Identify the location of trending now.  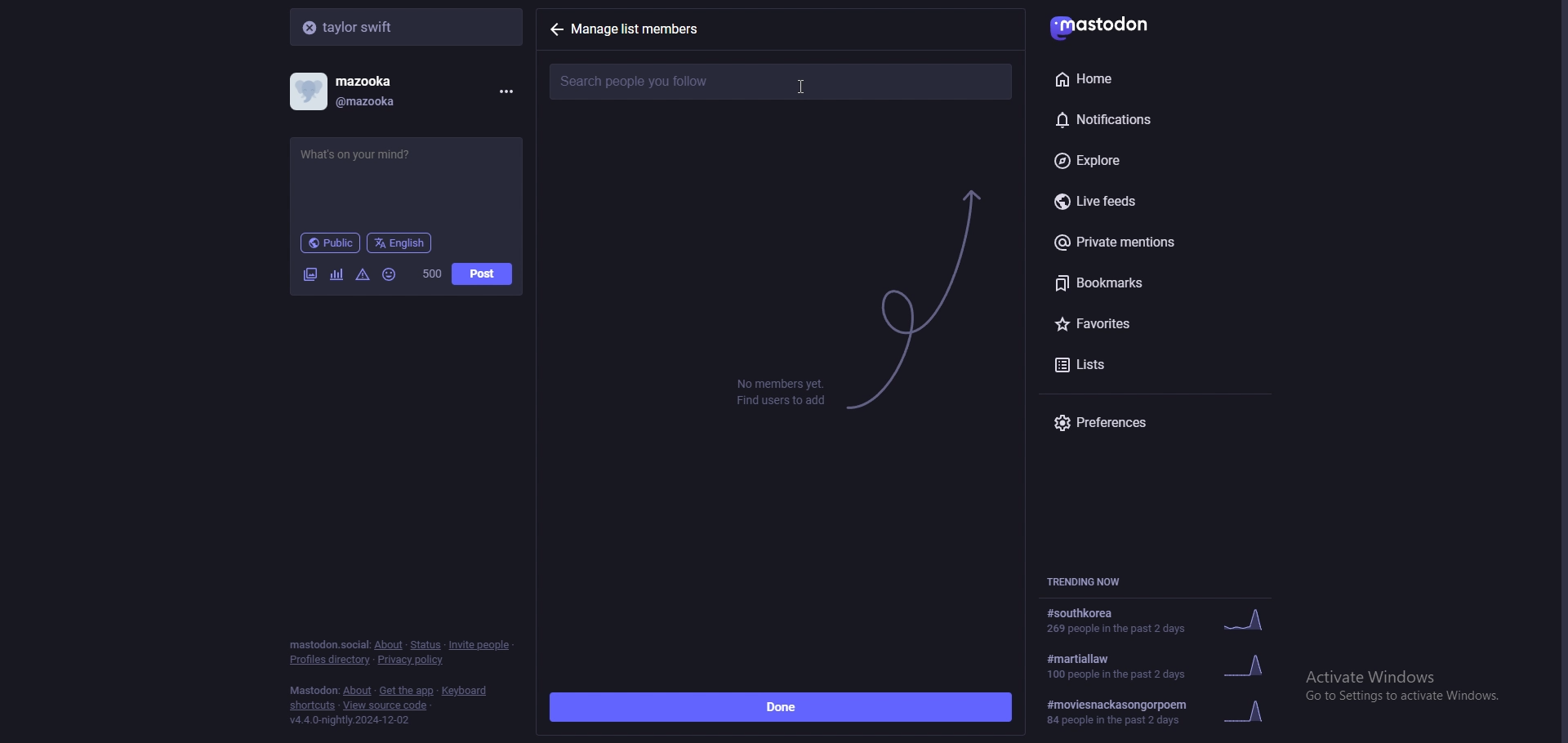
(1093, 581).